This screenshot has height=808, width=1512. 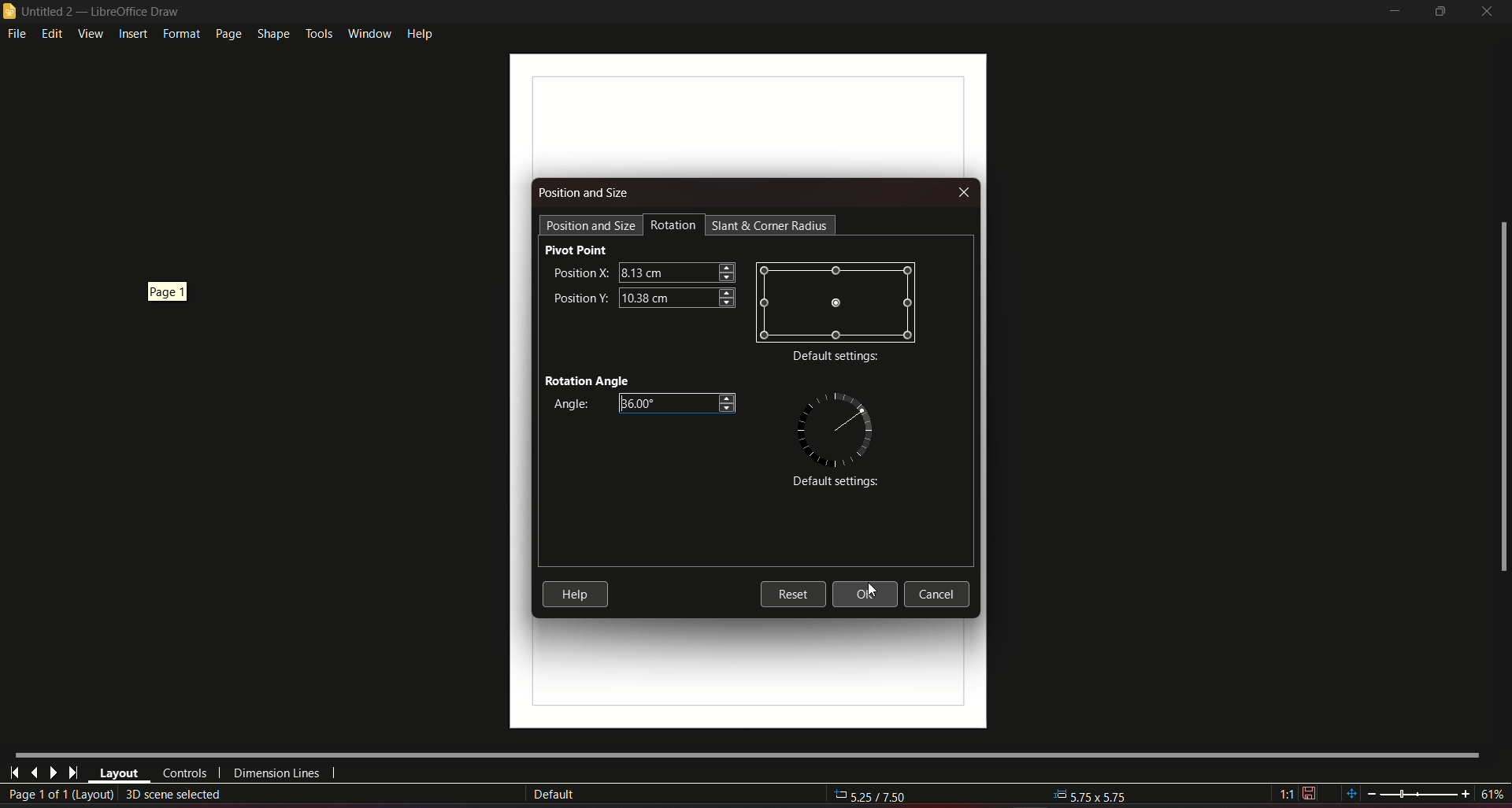 I want to click on format, so click(x=180, y=34).